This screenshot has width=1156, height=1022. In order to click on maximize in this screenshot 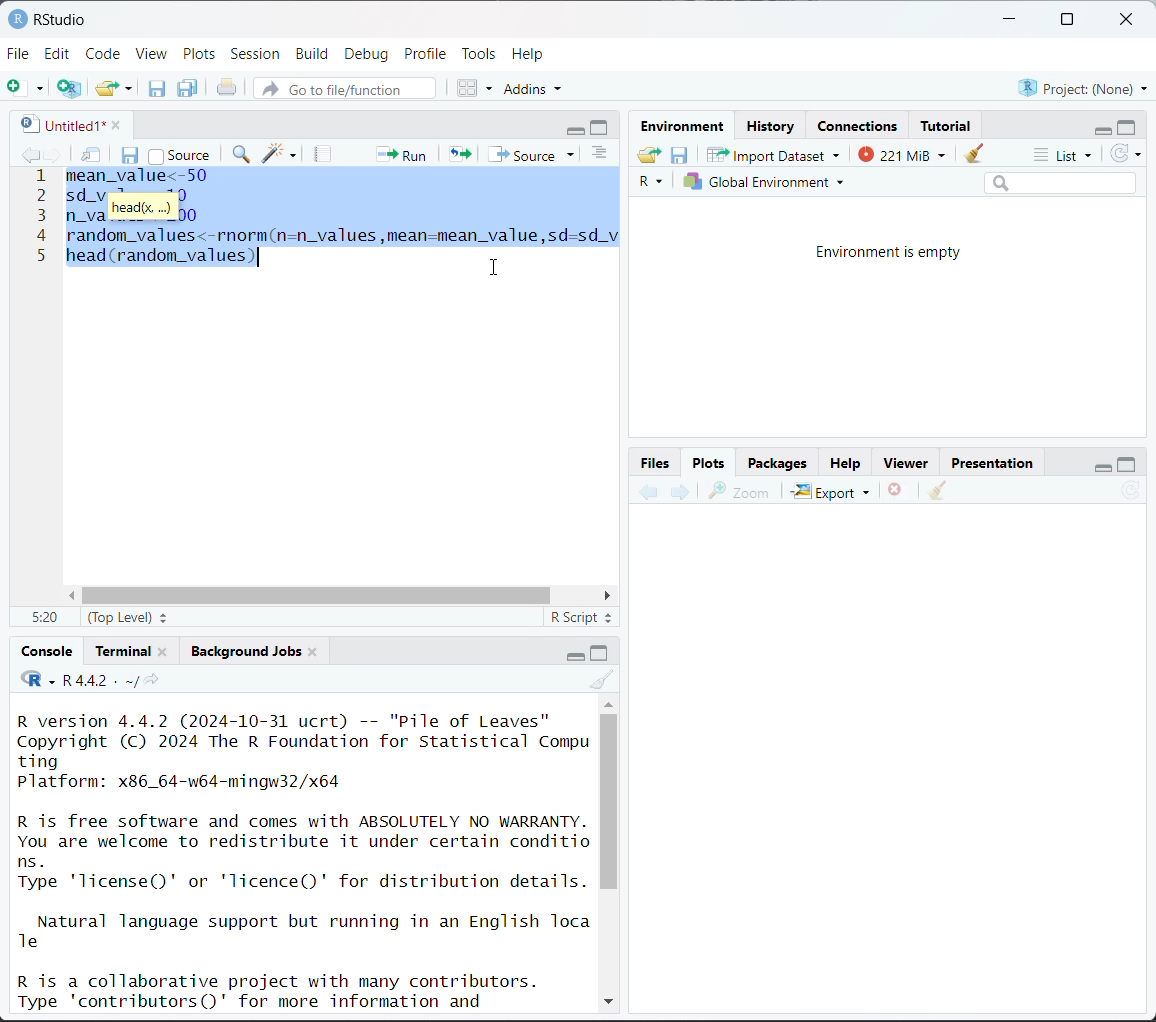, I will do `click(602, 127)`.